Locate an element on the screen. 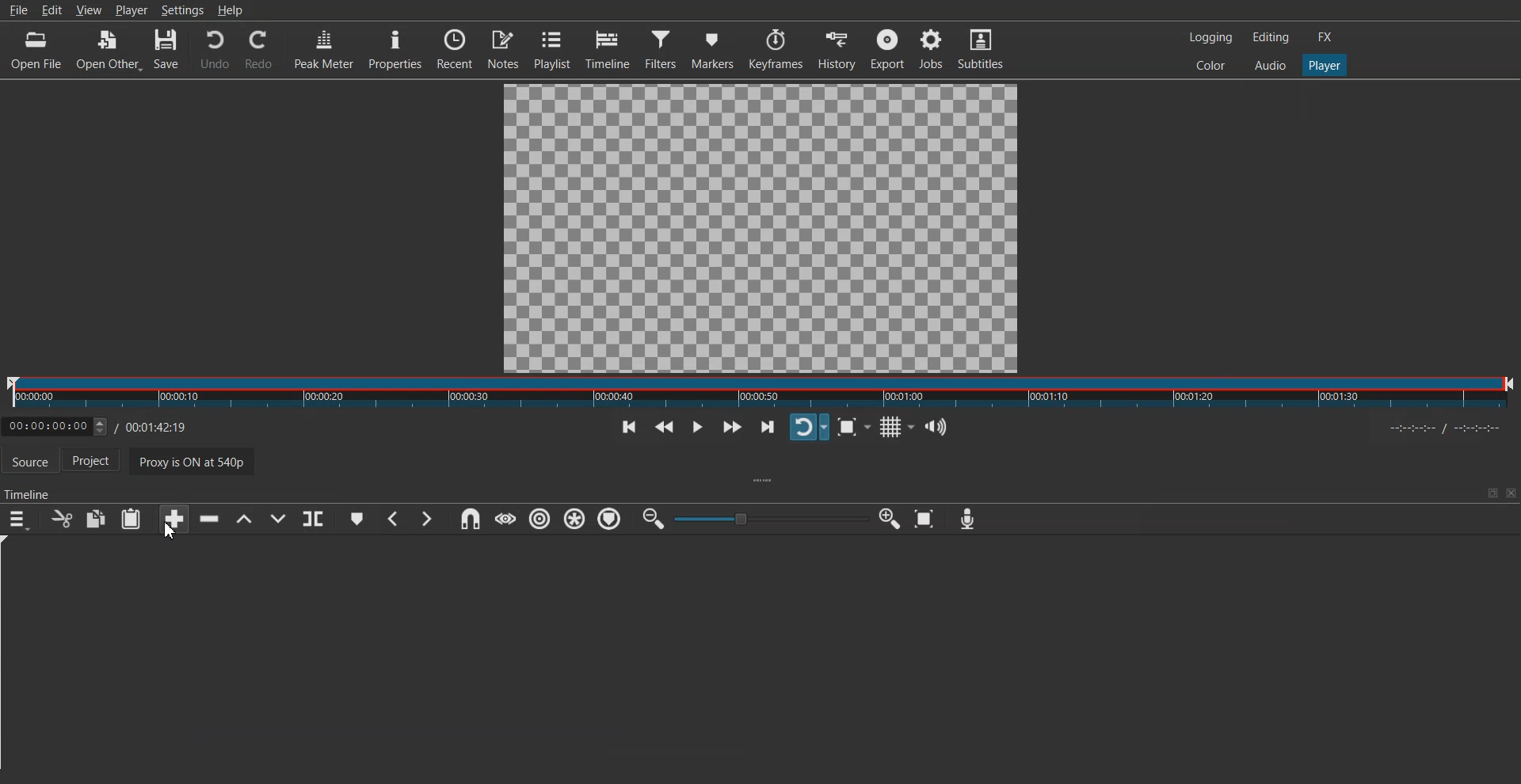 The height and width of the screenshot is (784, 1521). Play quickly forwards is located at coordinates (732, 427).